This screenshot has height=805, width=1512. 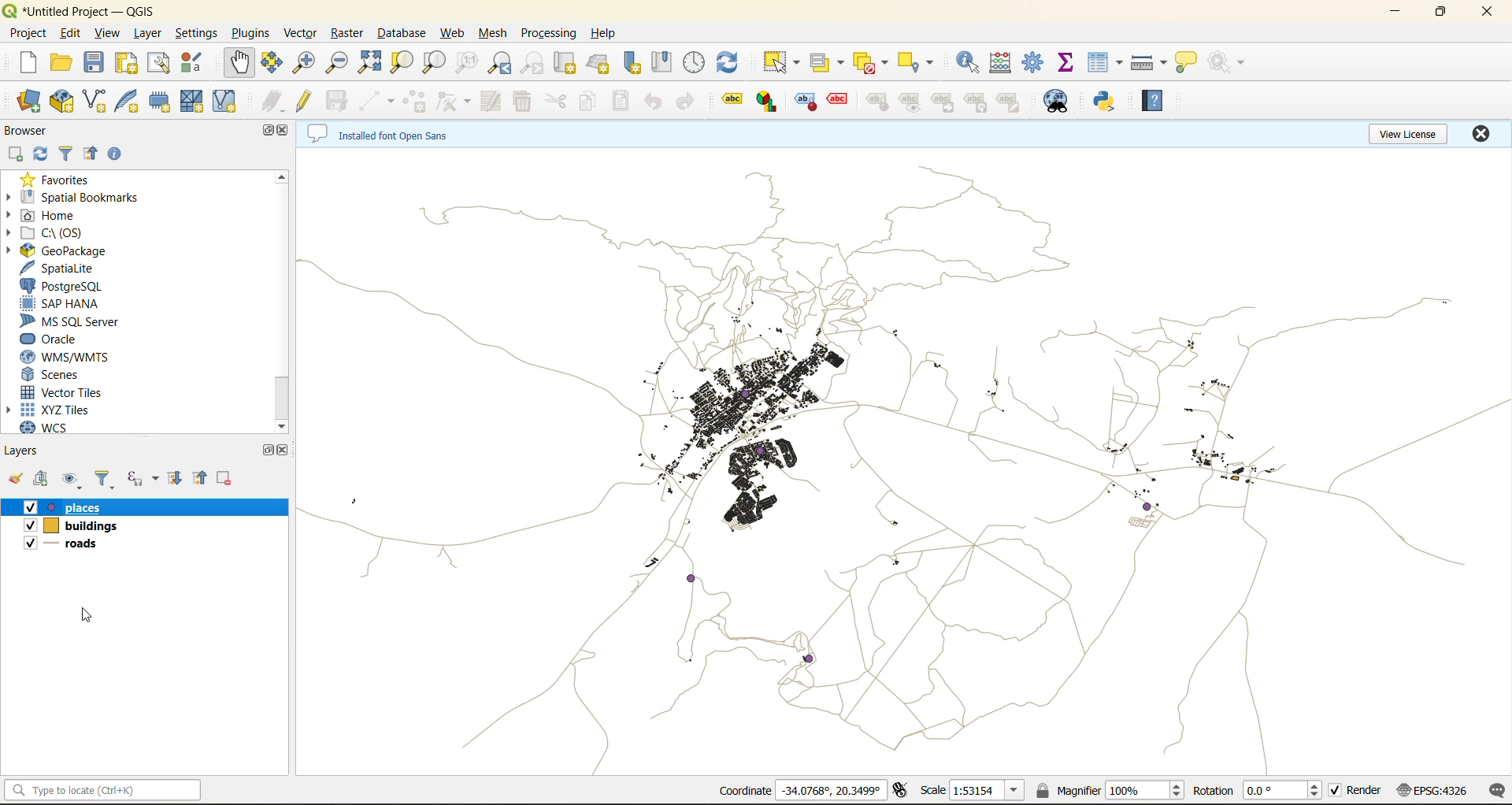 I want to click on new shapefile layer, so click(x=95, y=102).